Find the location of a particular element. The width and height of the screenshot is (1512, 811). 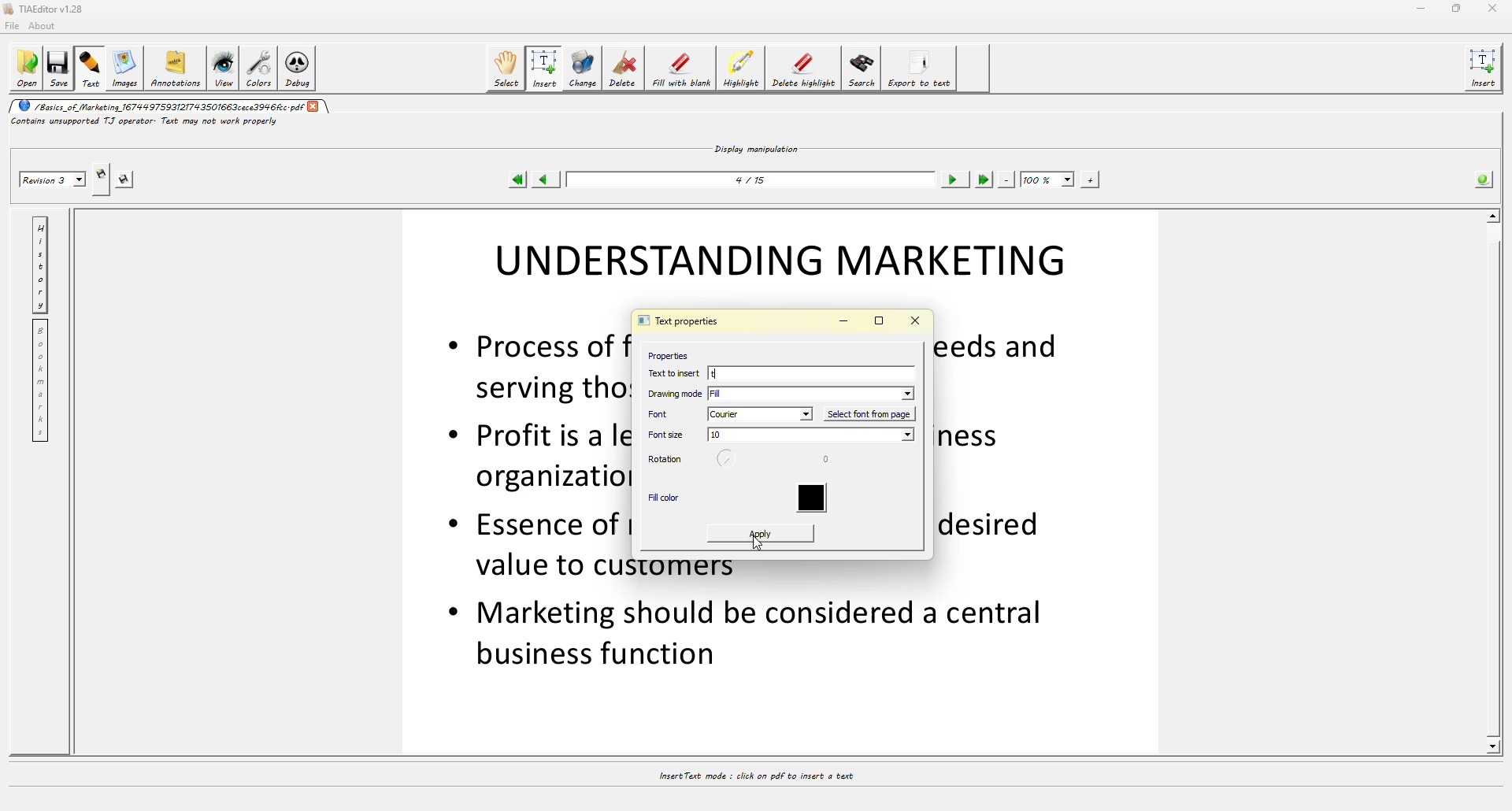

scroll down is located at coordinates (1492, 746).